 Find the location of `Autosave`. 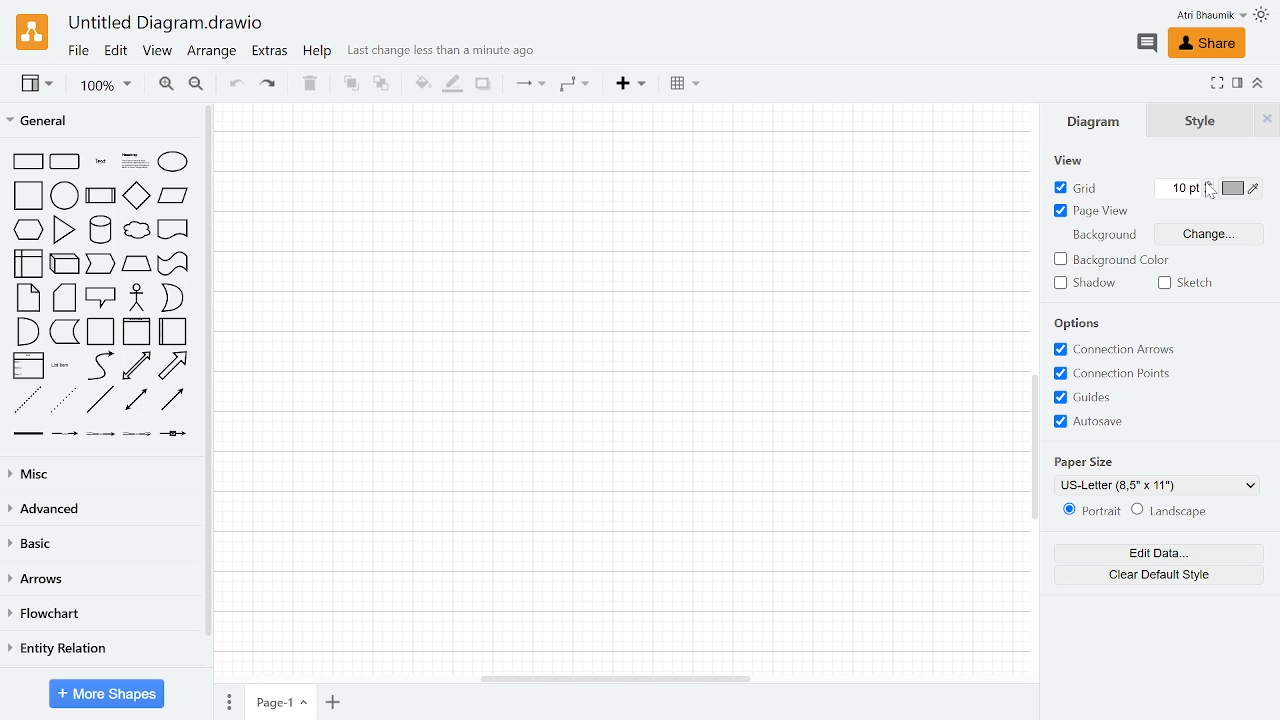

Autosave is located at coordinates (1114, 421).